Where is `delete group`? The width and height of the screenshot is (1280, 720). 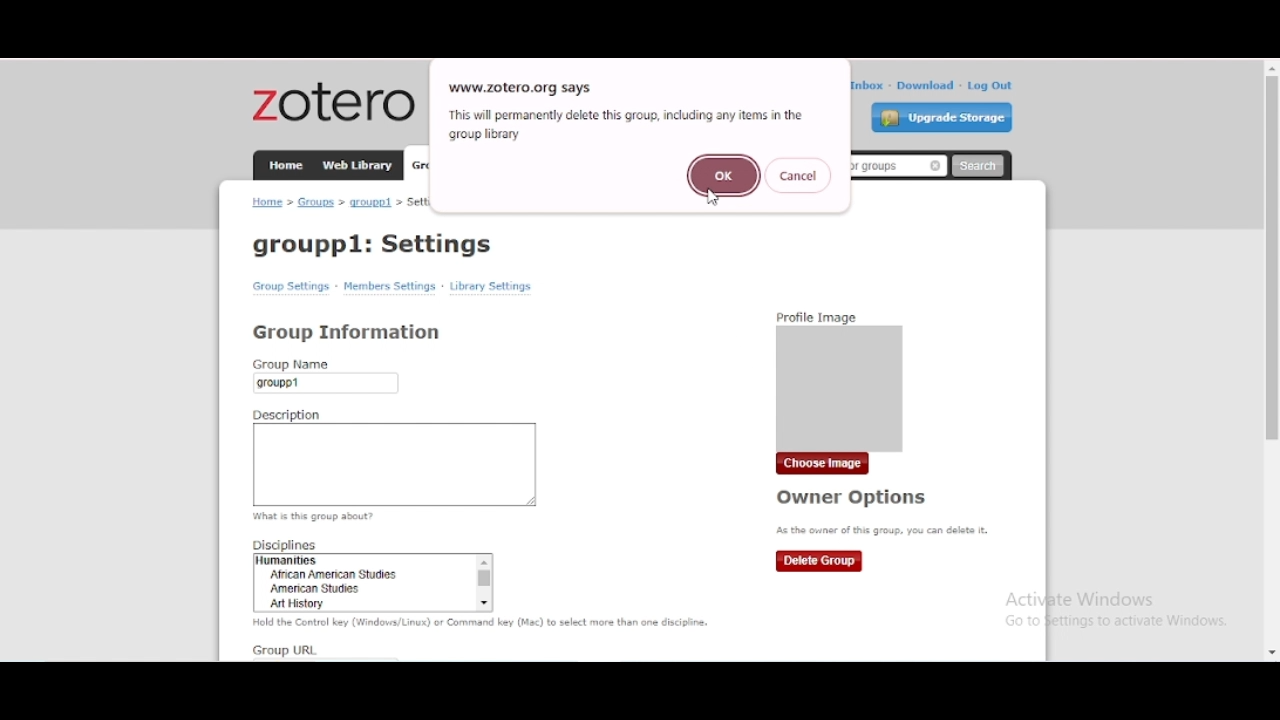
delete group is located at coordinates (819, 562).